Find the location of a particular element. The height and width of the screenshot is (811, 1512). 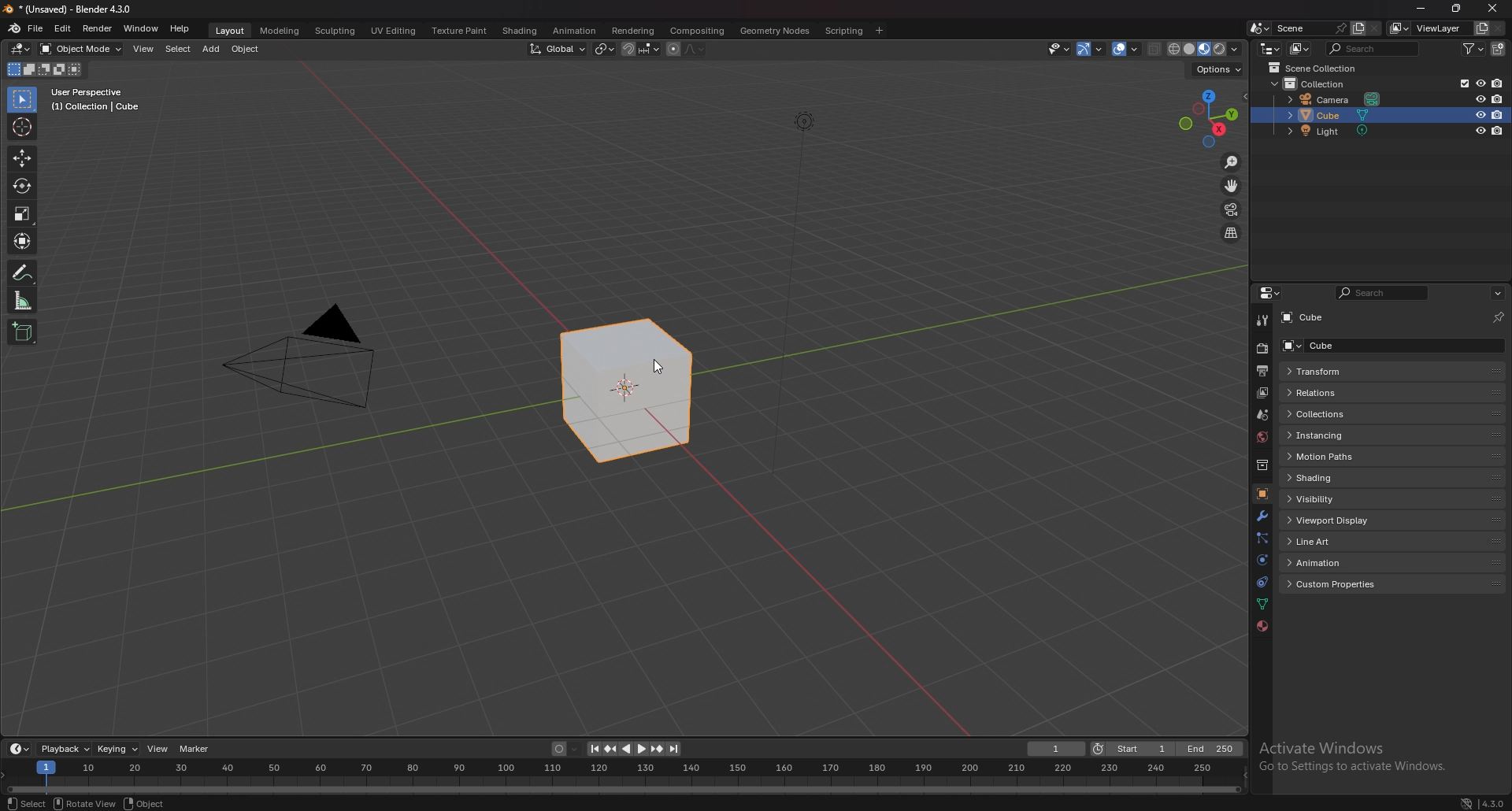

physics is located at coordinates (1260, 561).